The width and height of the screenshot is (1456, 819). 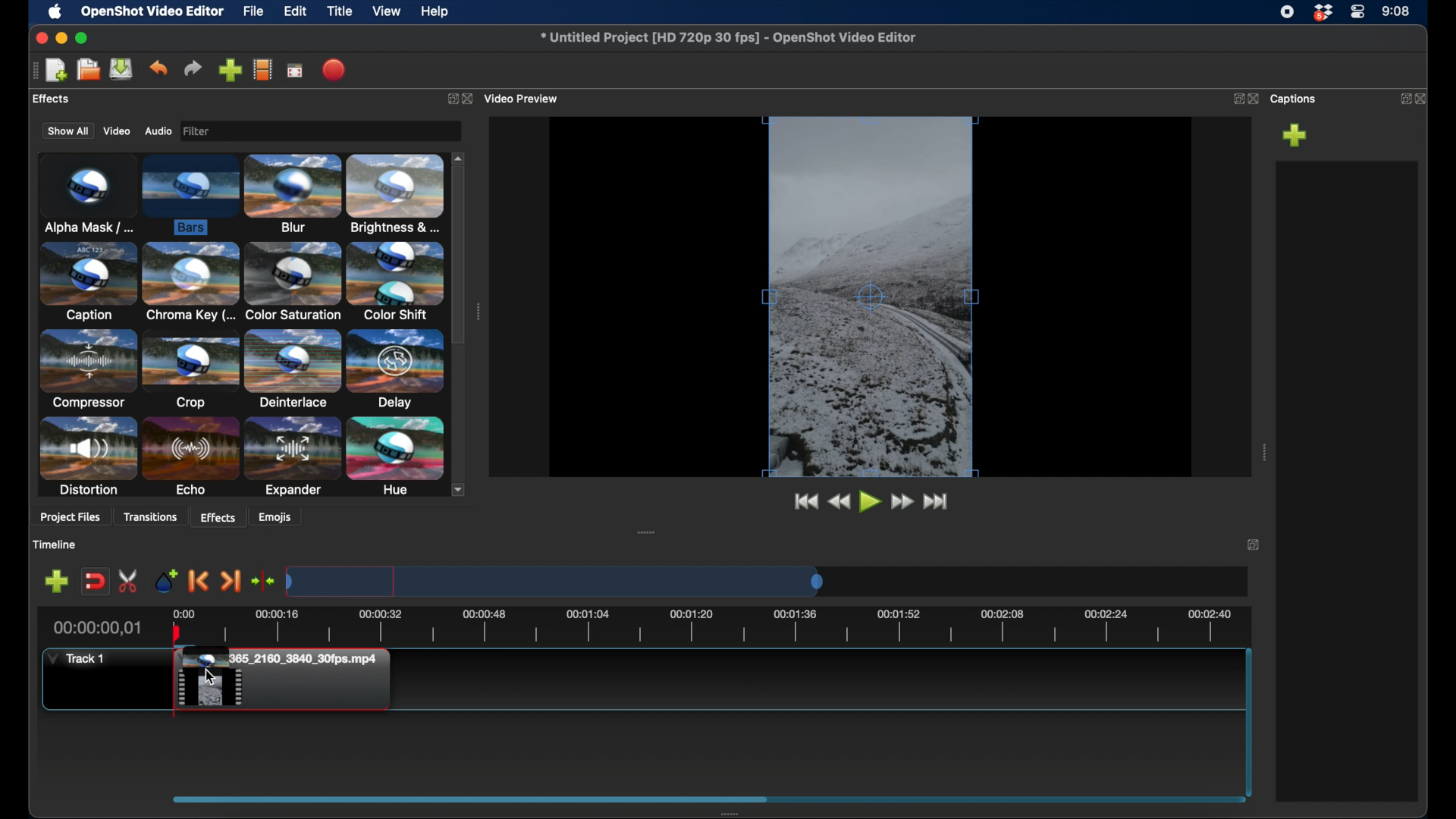 What do you see at coordinates (937, 501) in the screenshot?
I see `fast forward` at bounding box center [937, 501].